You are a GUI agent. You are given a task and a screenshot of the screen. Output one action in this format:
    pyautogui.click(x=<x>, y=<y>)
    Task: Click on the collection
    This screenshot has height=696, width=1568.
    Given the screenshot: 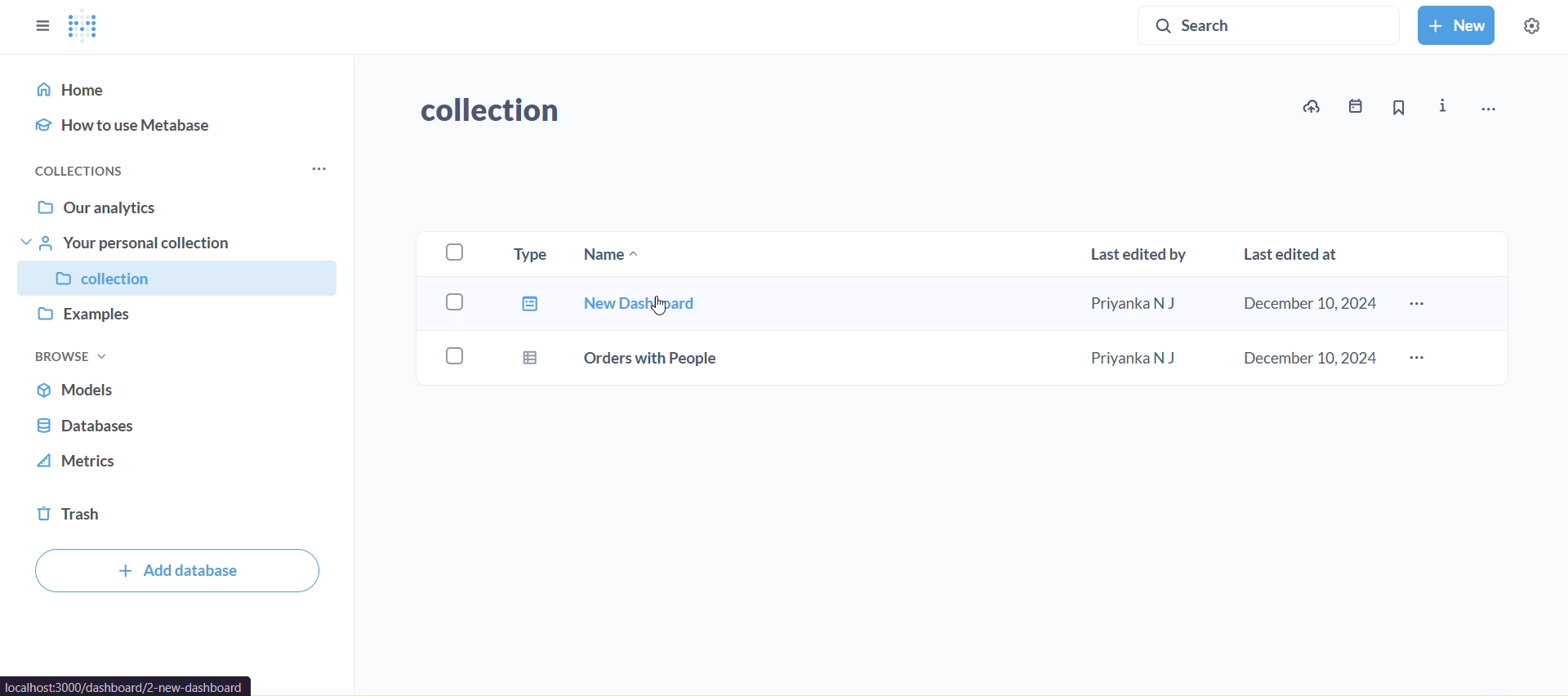 What is the action you would take?
    pyautogui.click(x=493, y=110)
    